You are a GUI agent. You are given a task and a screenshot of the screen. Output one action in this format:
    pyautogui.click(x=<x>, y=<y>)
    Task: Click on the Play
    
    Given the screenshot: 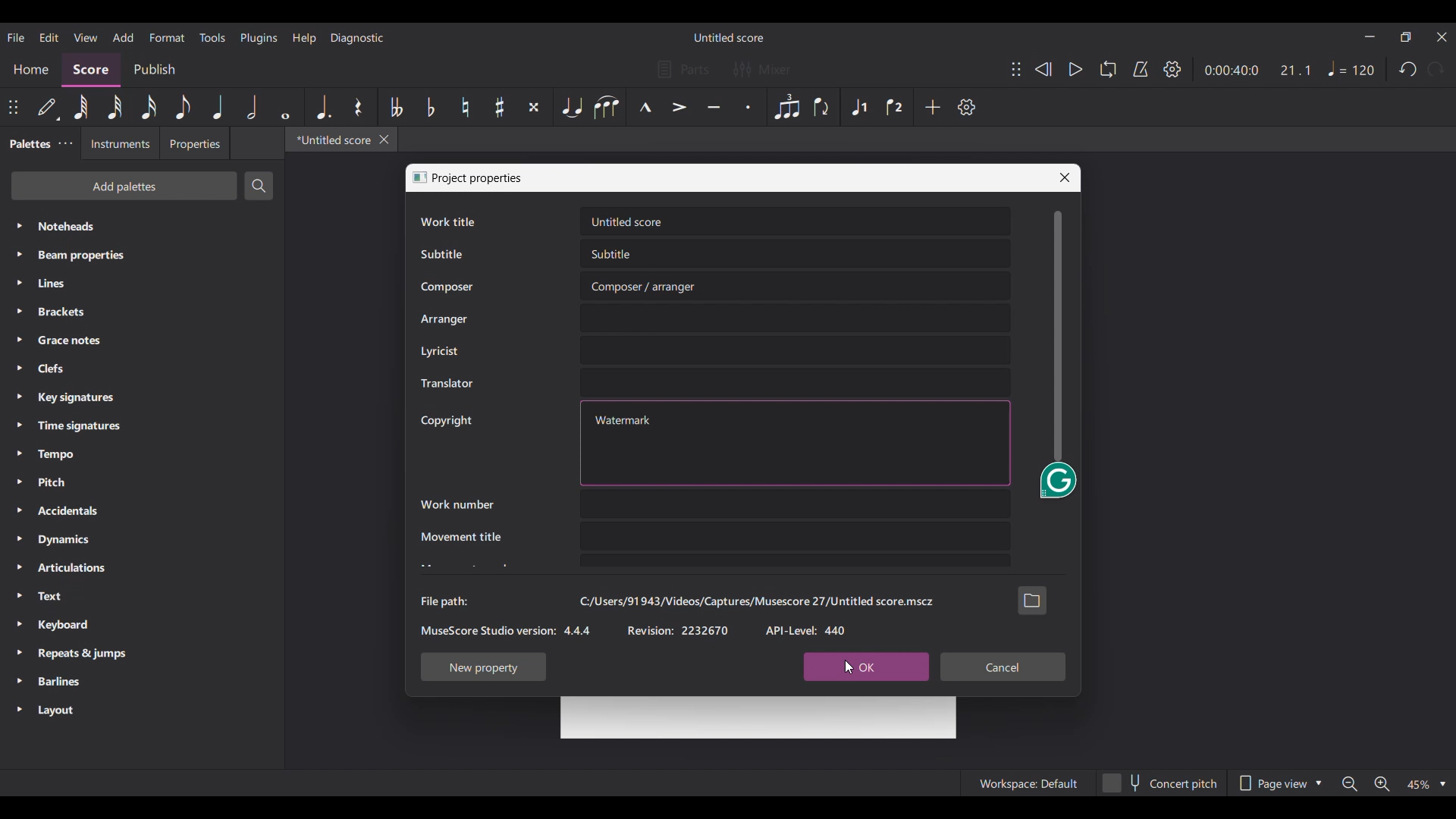 What is the action you would take?
    pyautogui.click(x=1077, y=69)
    